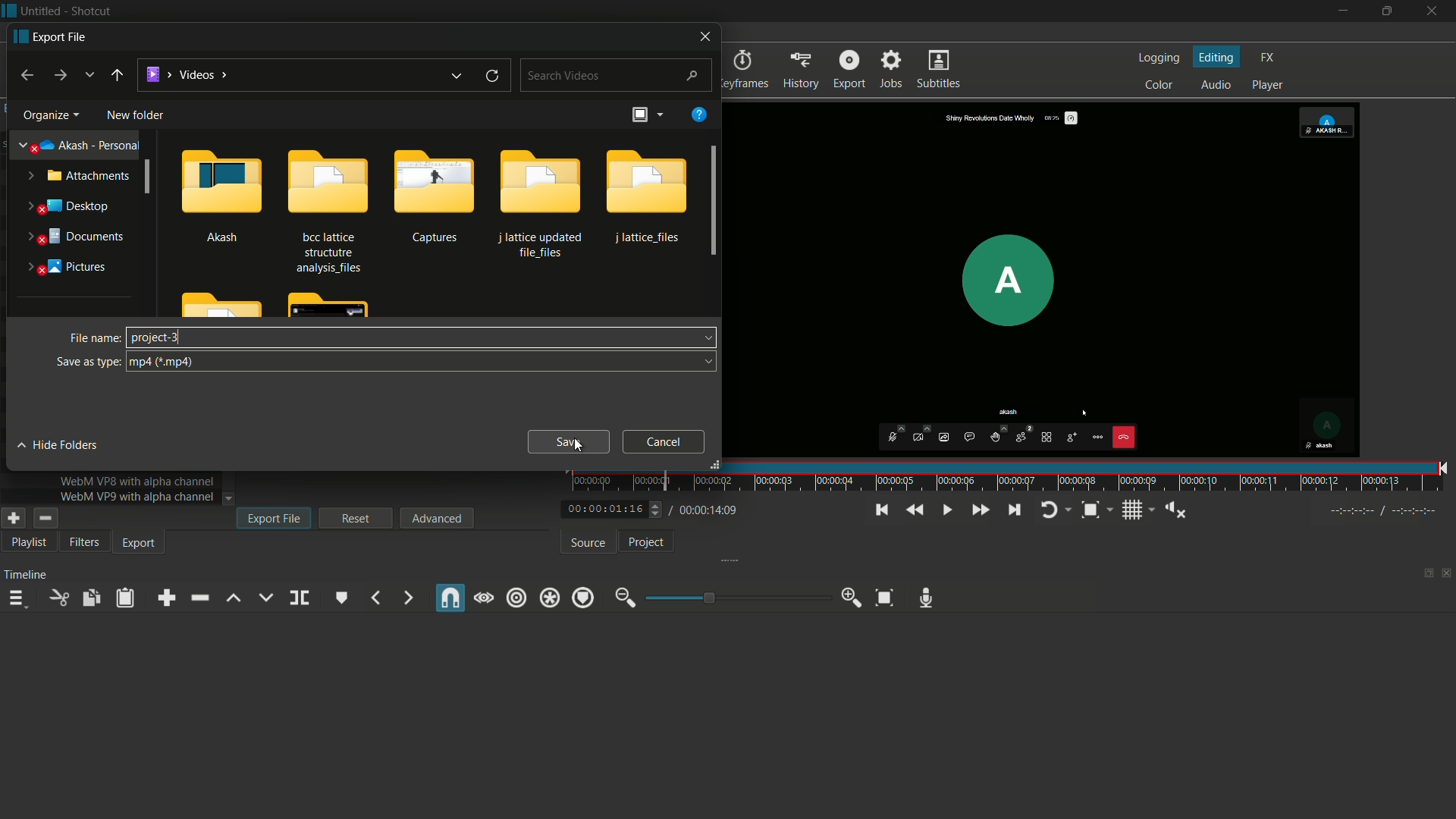  I want to click on ripple markers, so click(583, 598).